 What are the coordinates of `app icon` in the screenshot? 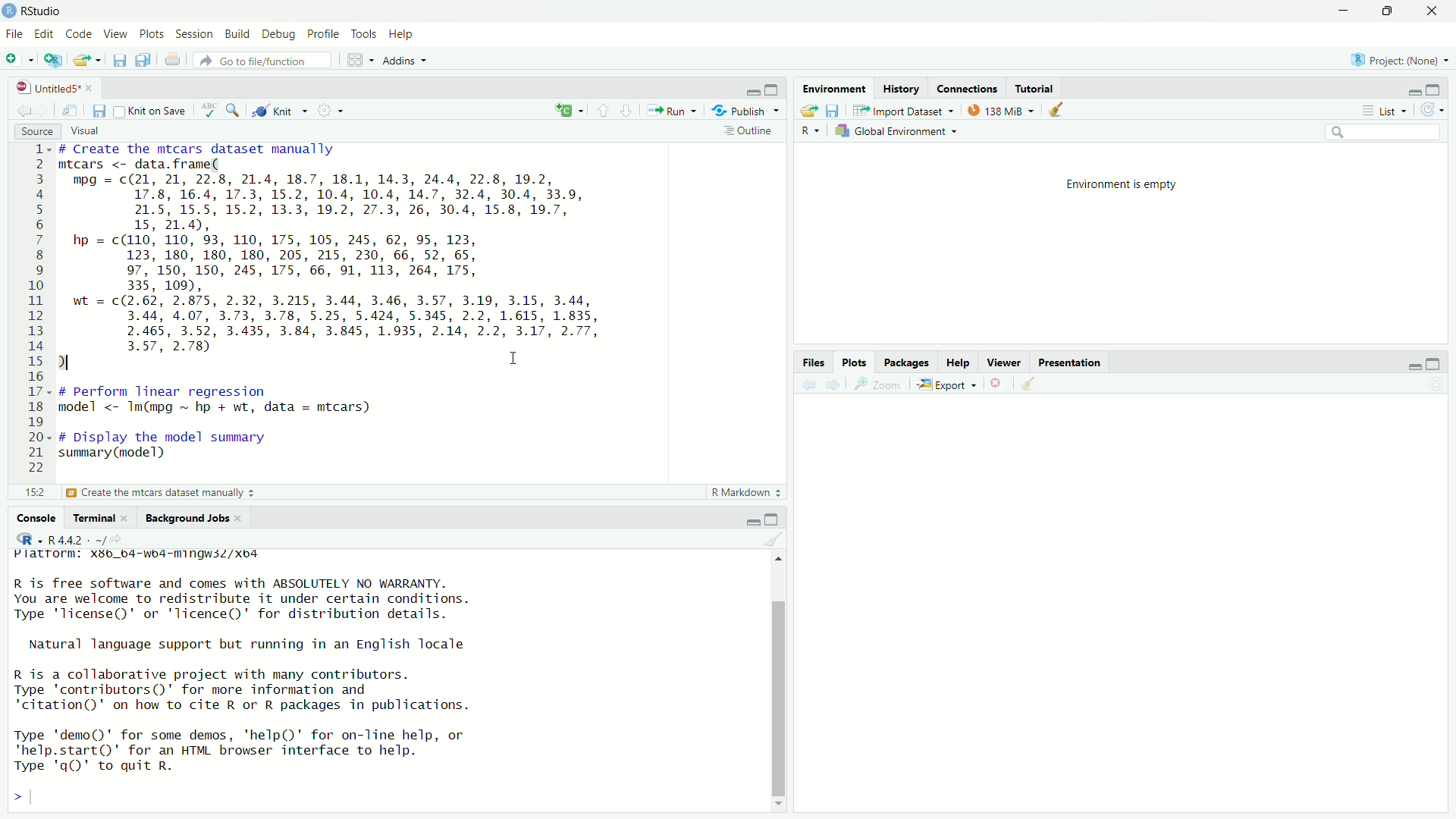 It's located at (9, 11).